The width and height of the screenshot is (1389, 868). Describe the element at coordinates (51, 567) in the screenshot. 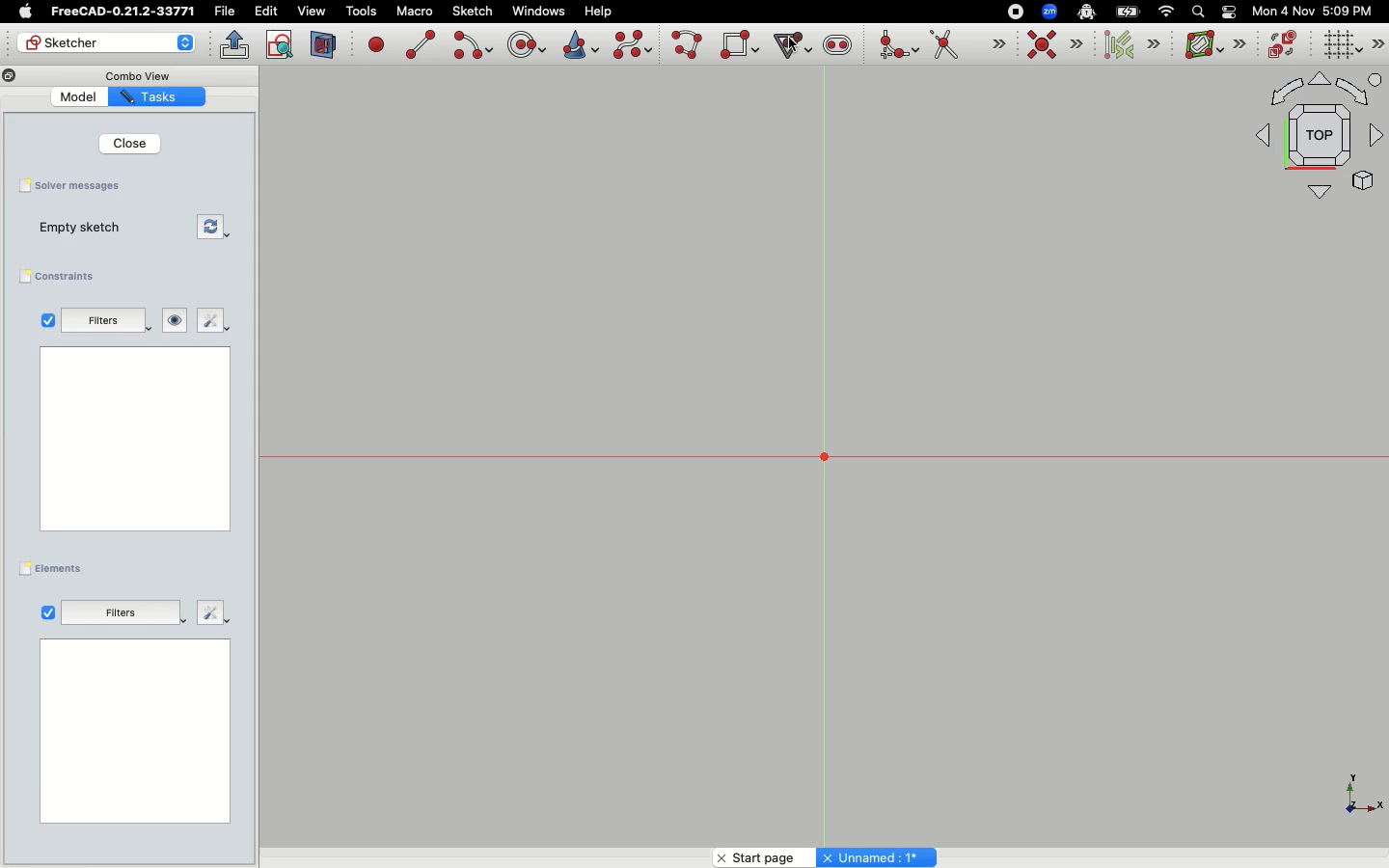

I see `Elements` at that location.